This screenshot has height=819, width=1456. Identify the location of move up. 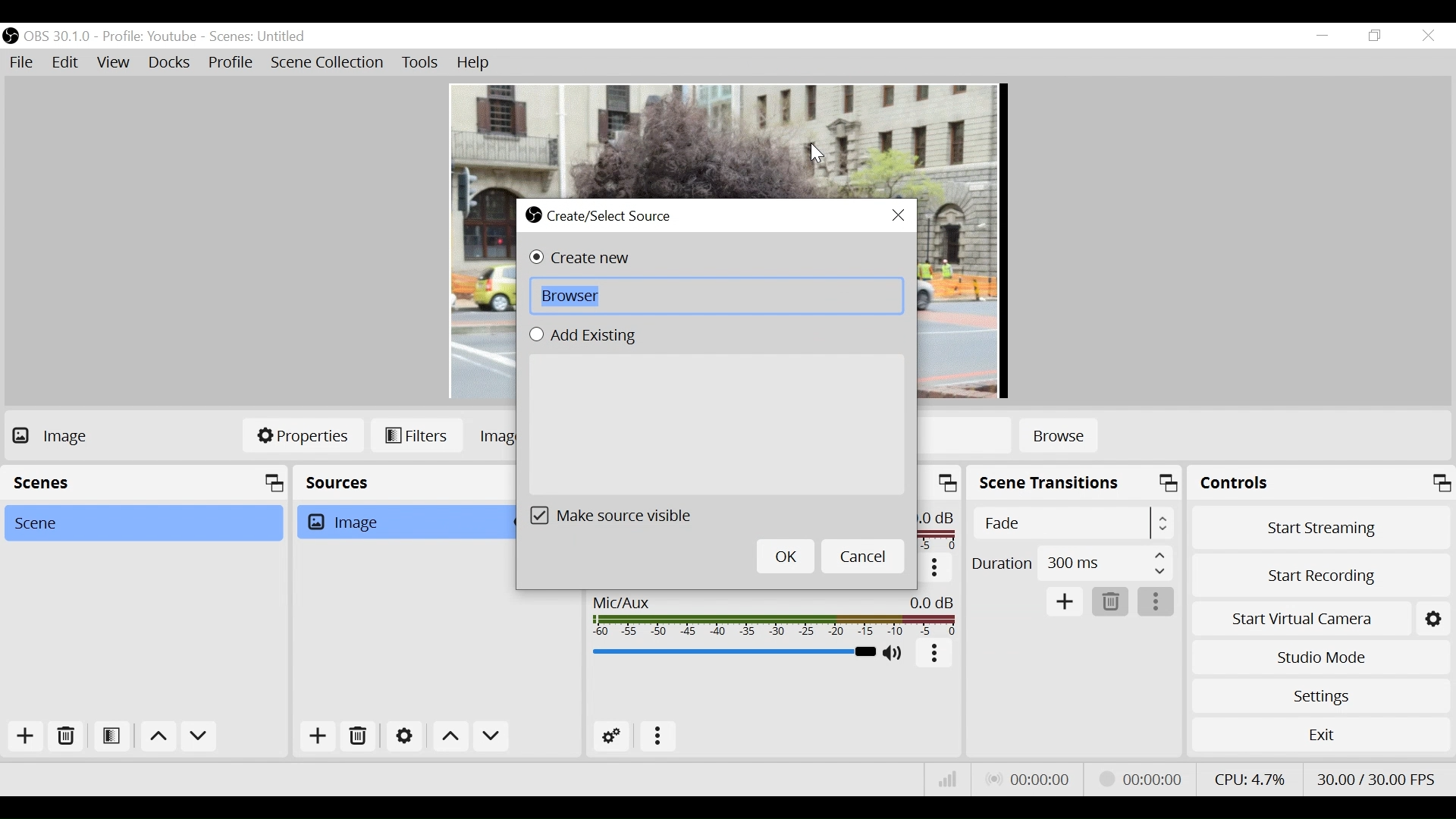
(160, 737).